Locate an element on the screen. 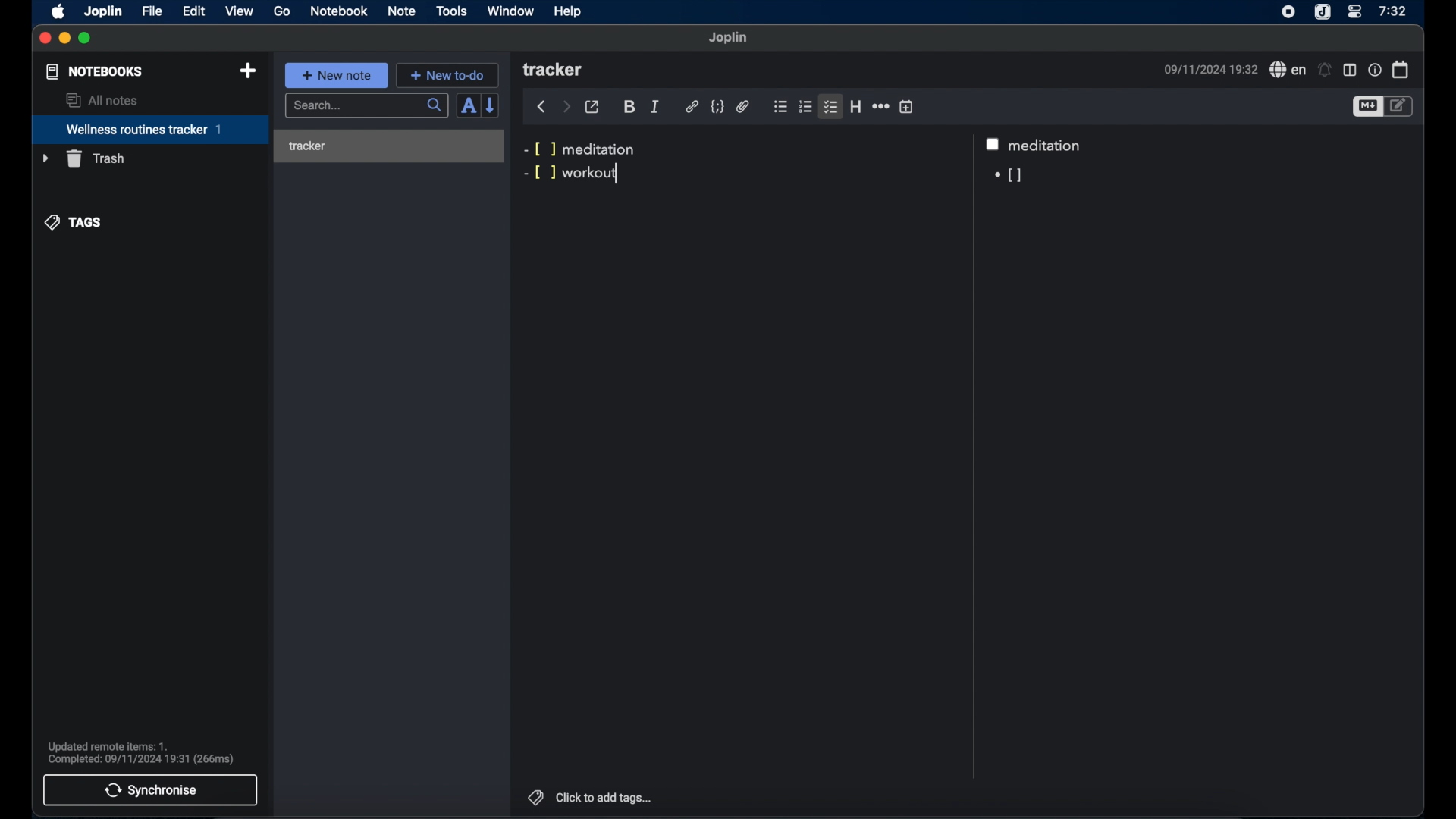 This screenshot has height=819, width=1456. hyperlink is located at coordinates (692, 107).